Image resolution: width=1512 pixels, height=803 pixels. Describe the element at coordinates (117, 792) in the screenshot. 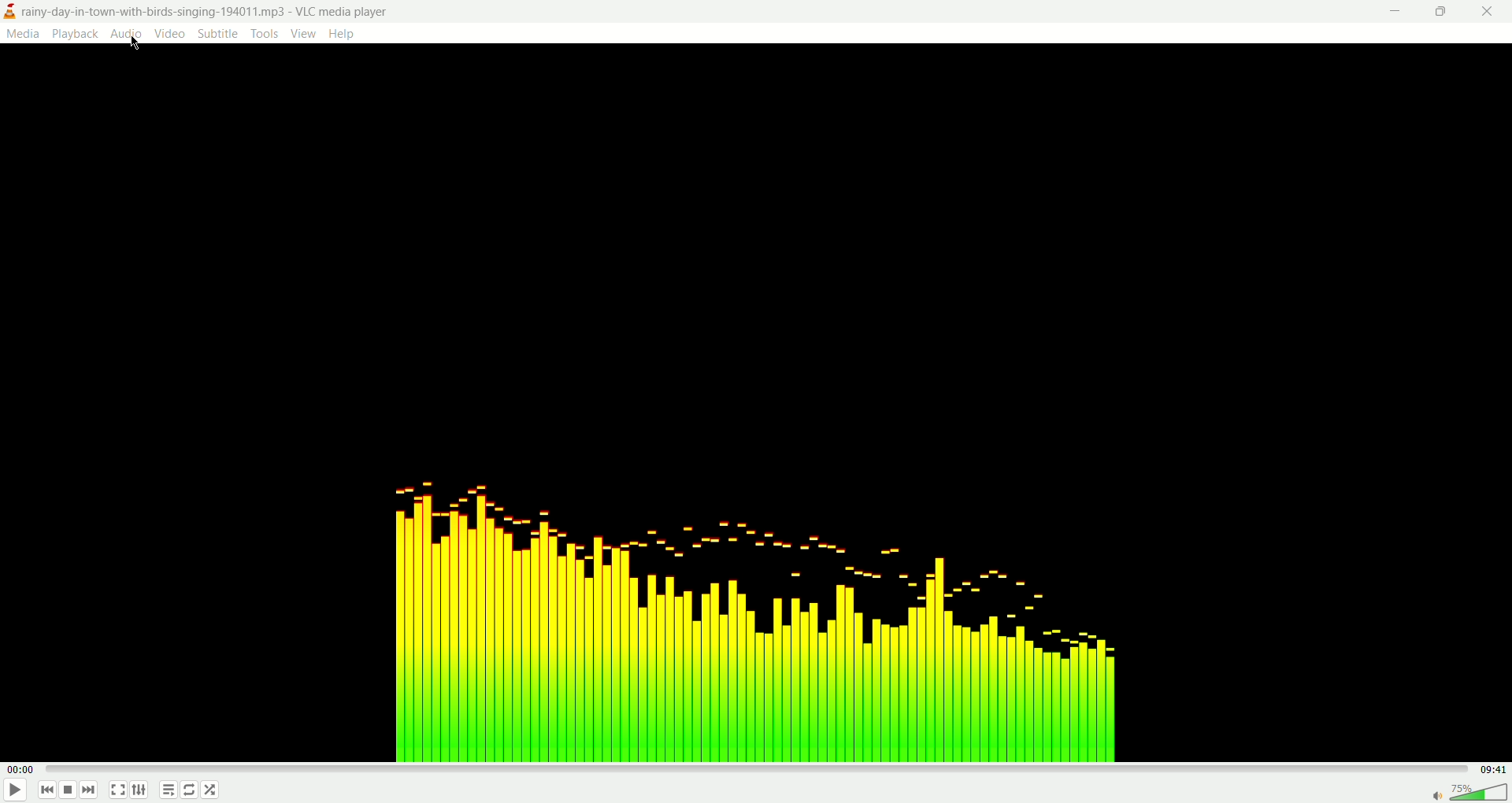

I see `full screen` at that location.